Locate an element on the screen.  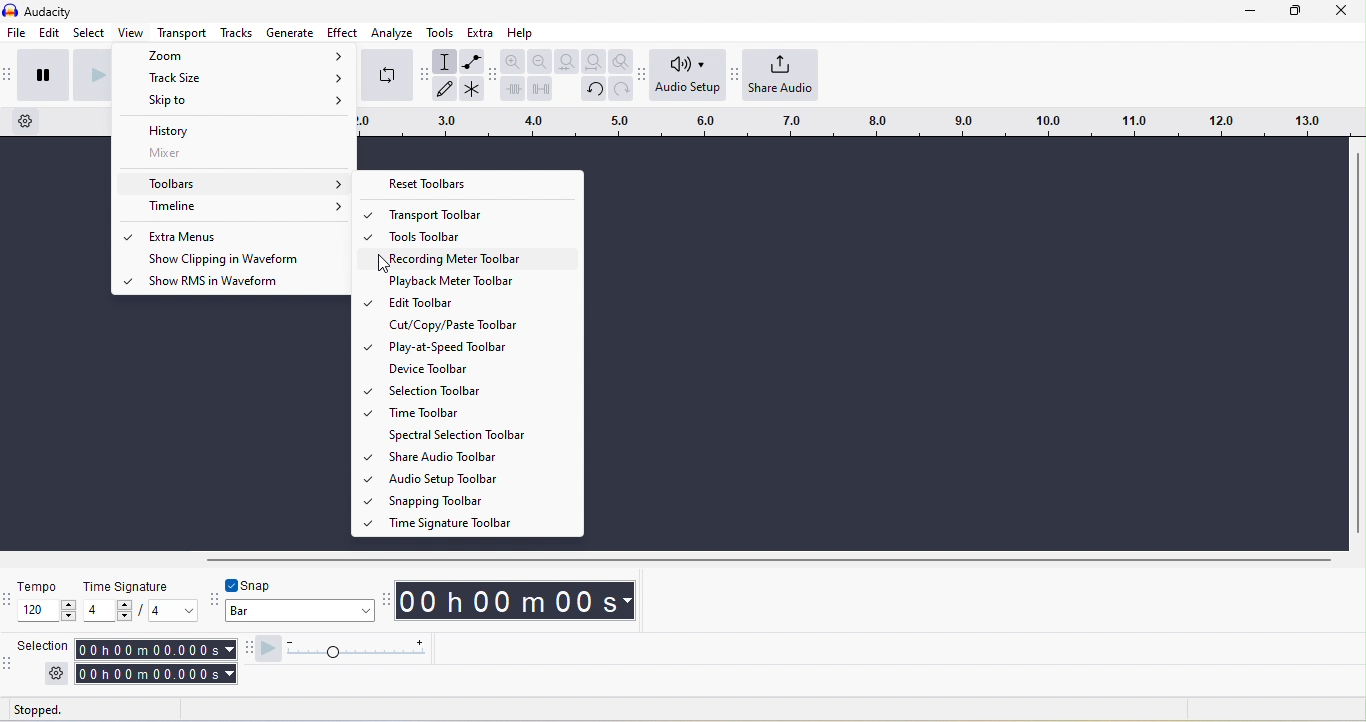
view is located at coordinates (131, 32).